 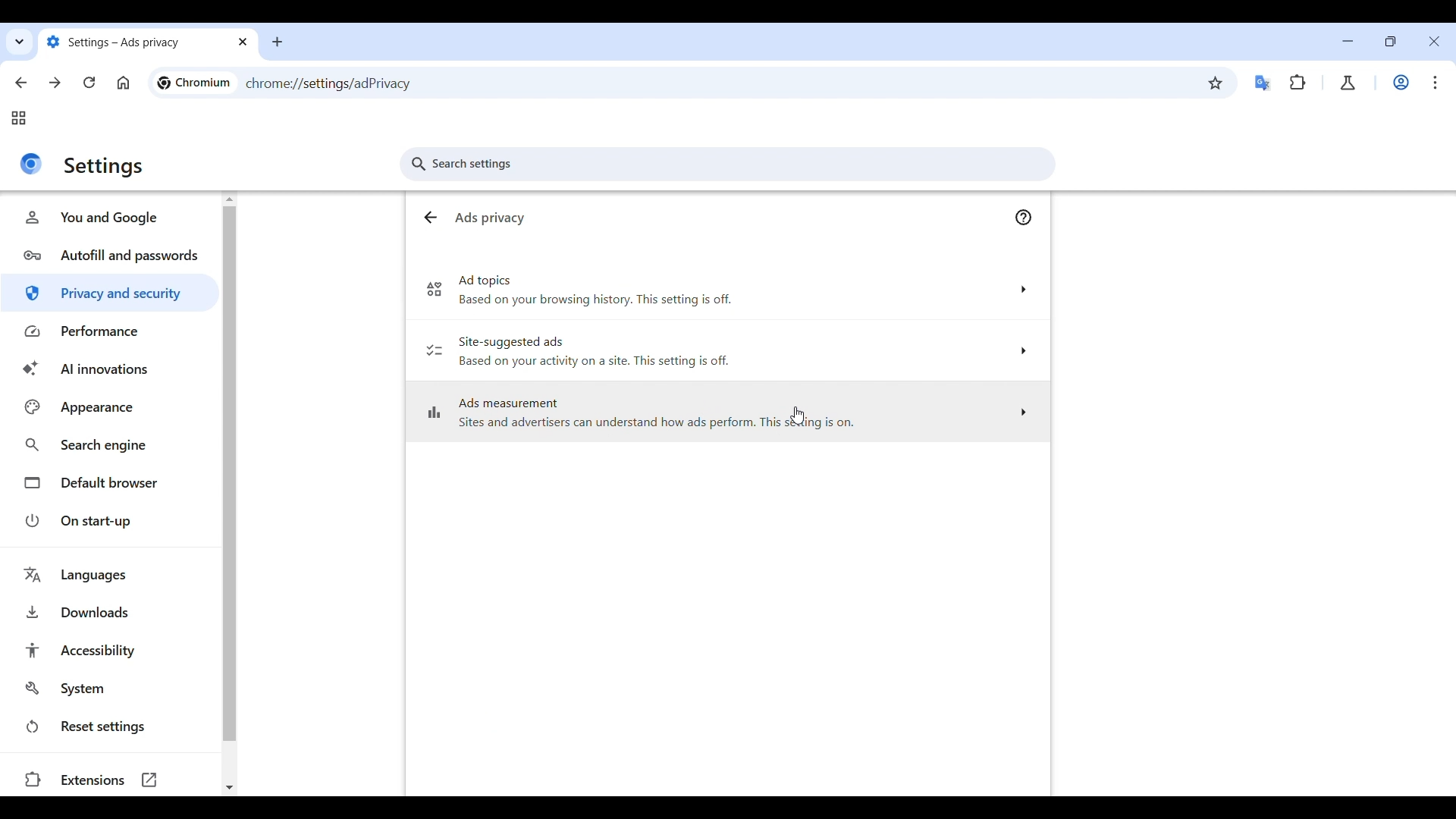 What do you see at coordinates (89, 83) in the screenshot?
I see `Reload page` at bounding box center [89, 83].